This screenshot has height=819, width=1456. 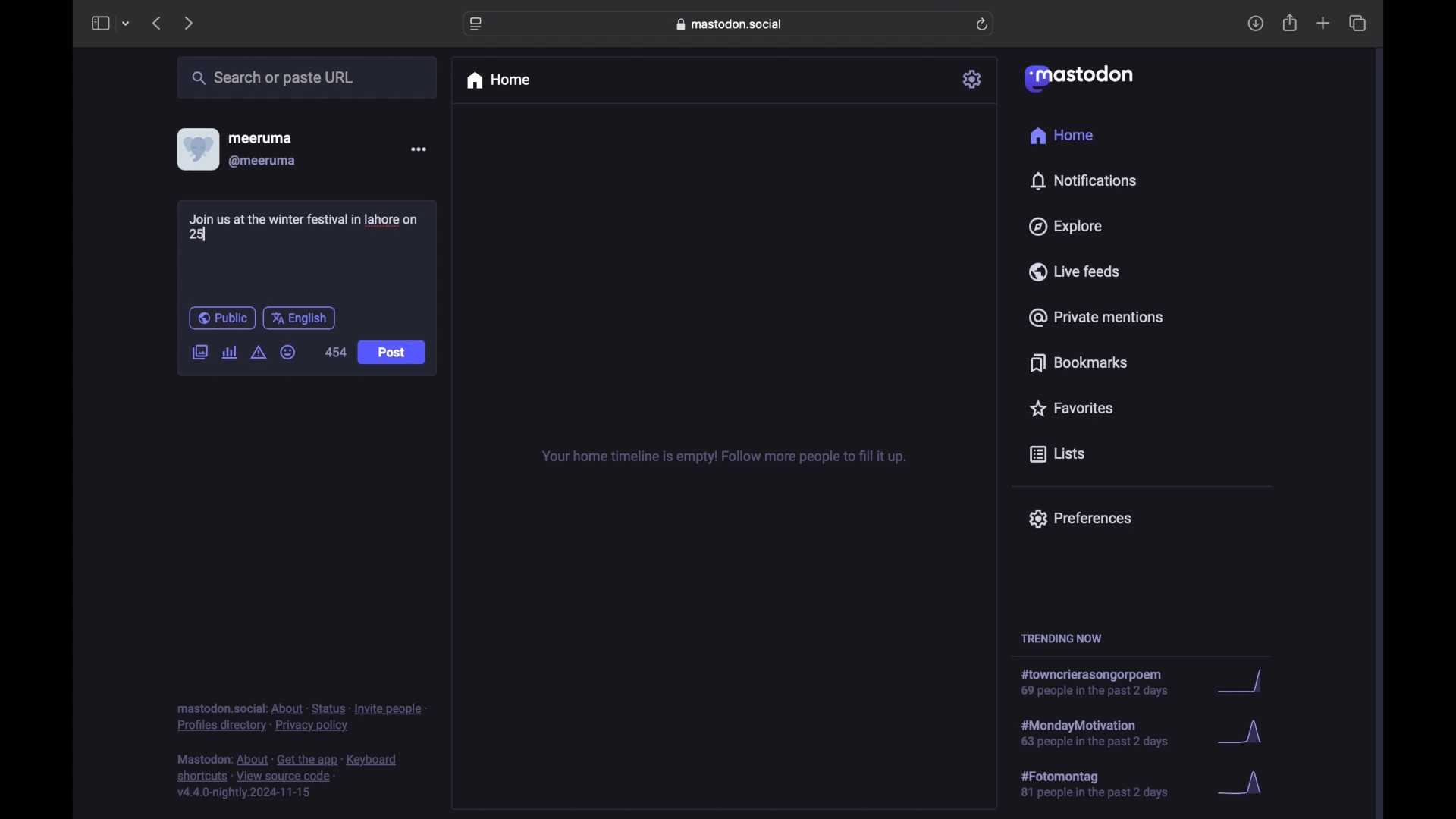 I want to click on download, so click(x=1256, y=24).